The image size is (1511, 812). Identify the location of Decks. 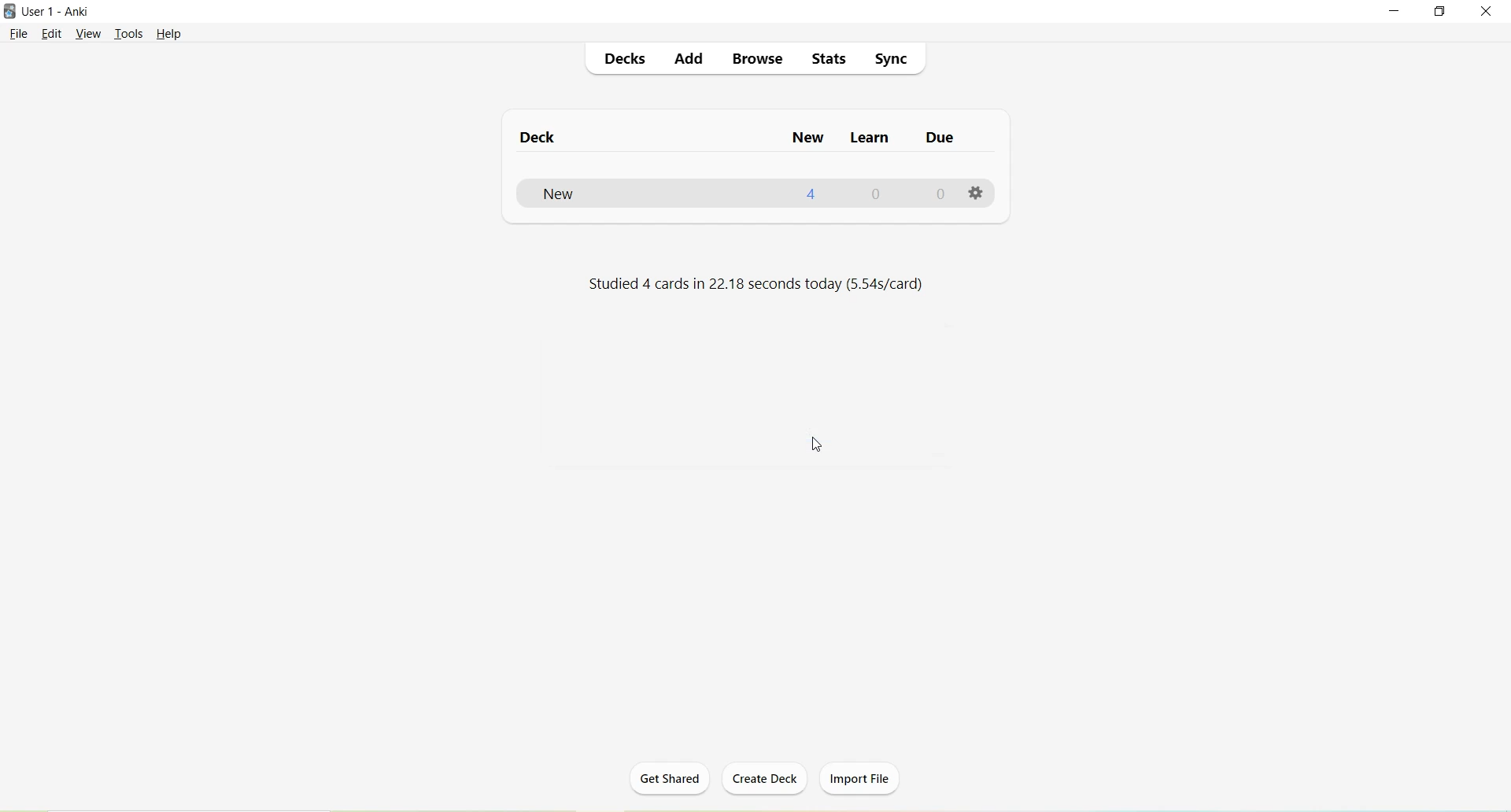
(624, 60).